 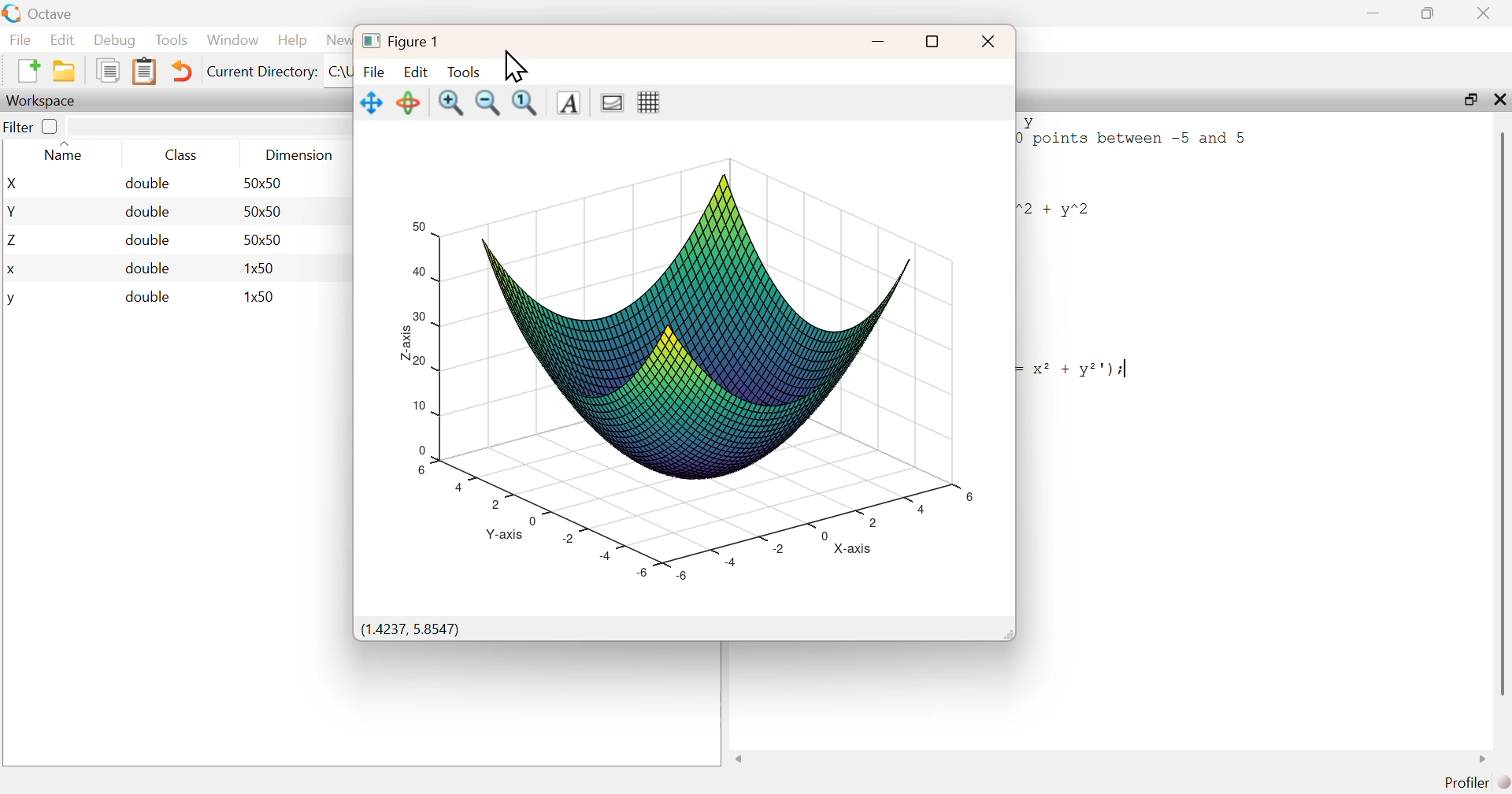 I want to click on minimize, so click(x=1373, y=13).